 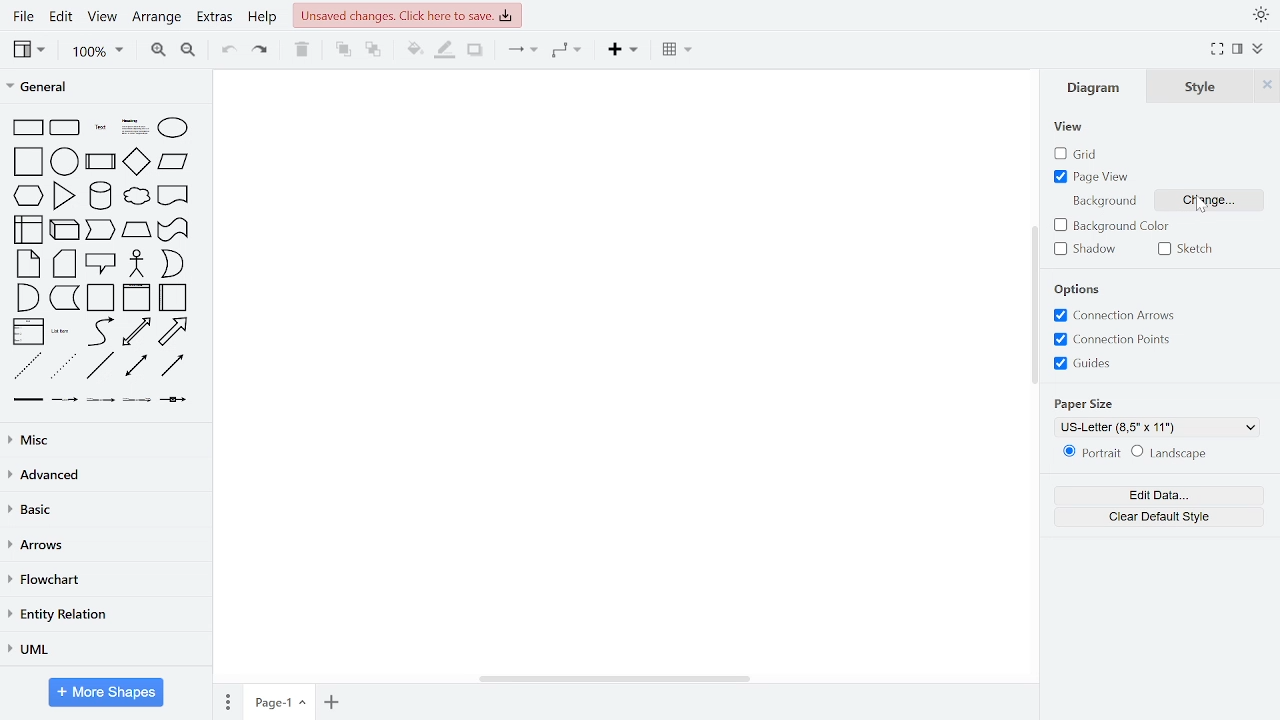 What do you see at coordinates (26, 160) in the screenshot?
I see `general shapes` at bounding box center [26, 160].